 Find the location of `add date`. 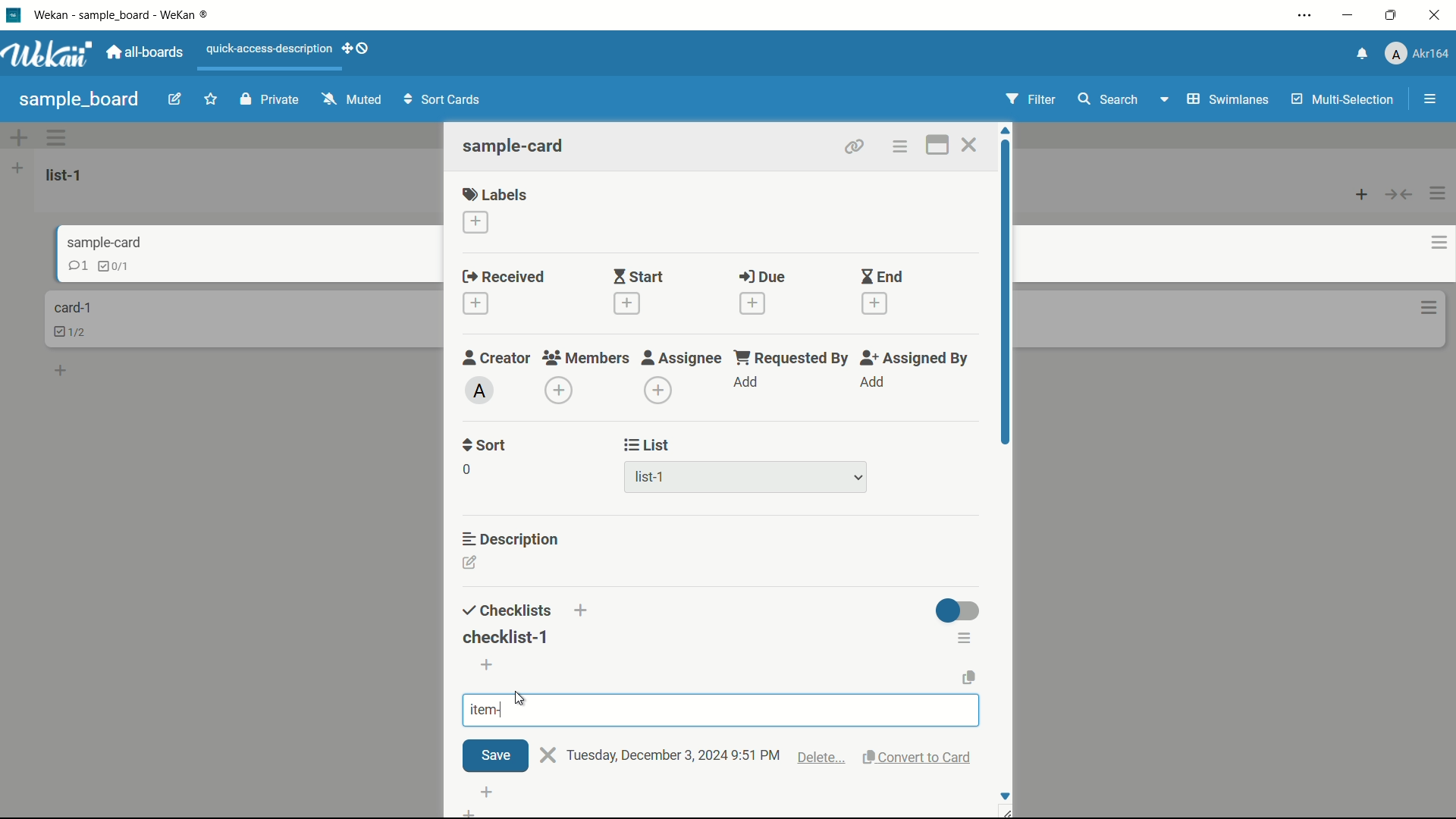

add date is located at coordinates (875, 303).